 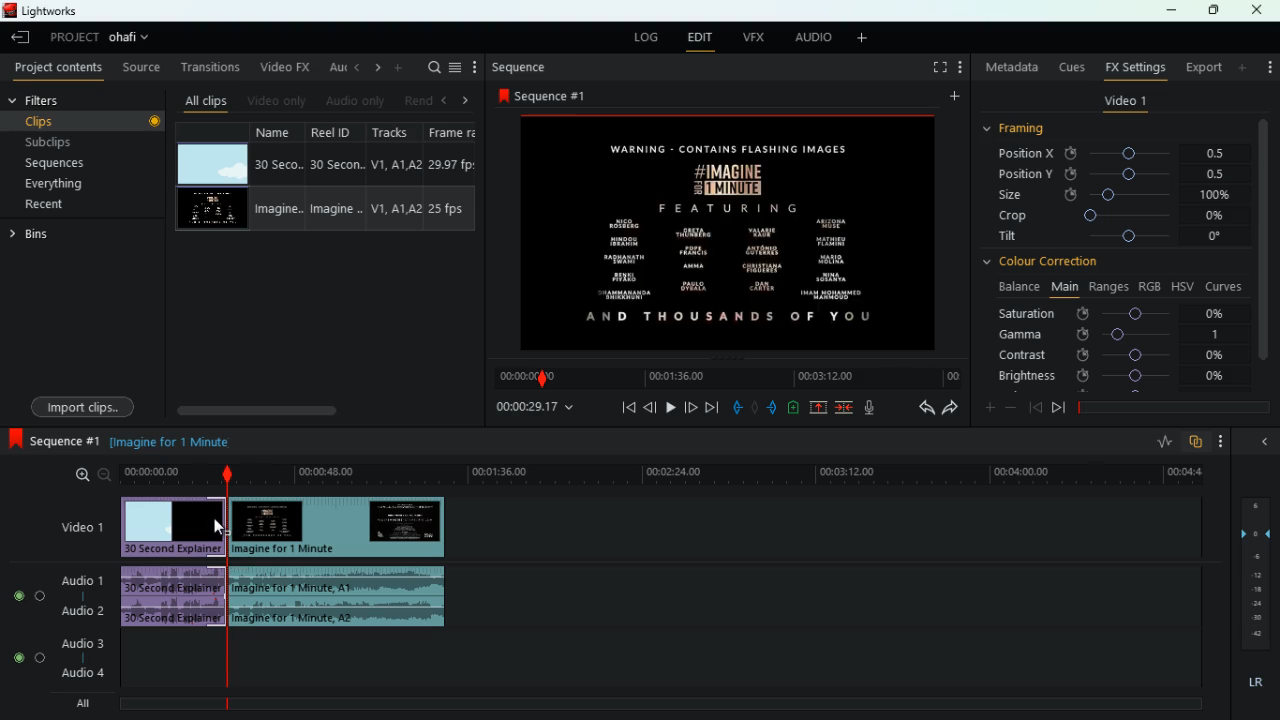 What do you see at coordinates (216, 526) in the screenshot?
I see `cursor` at bounding box center [216, 526].